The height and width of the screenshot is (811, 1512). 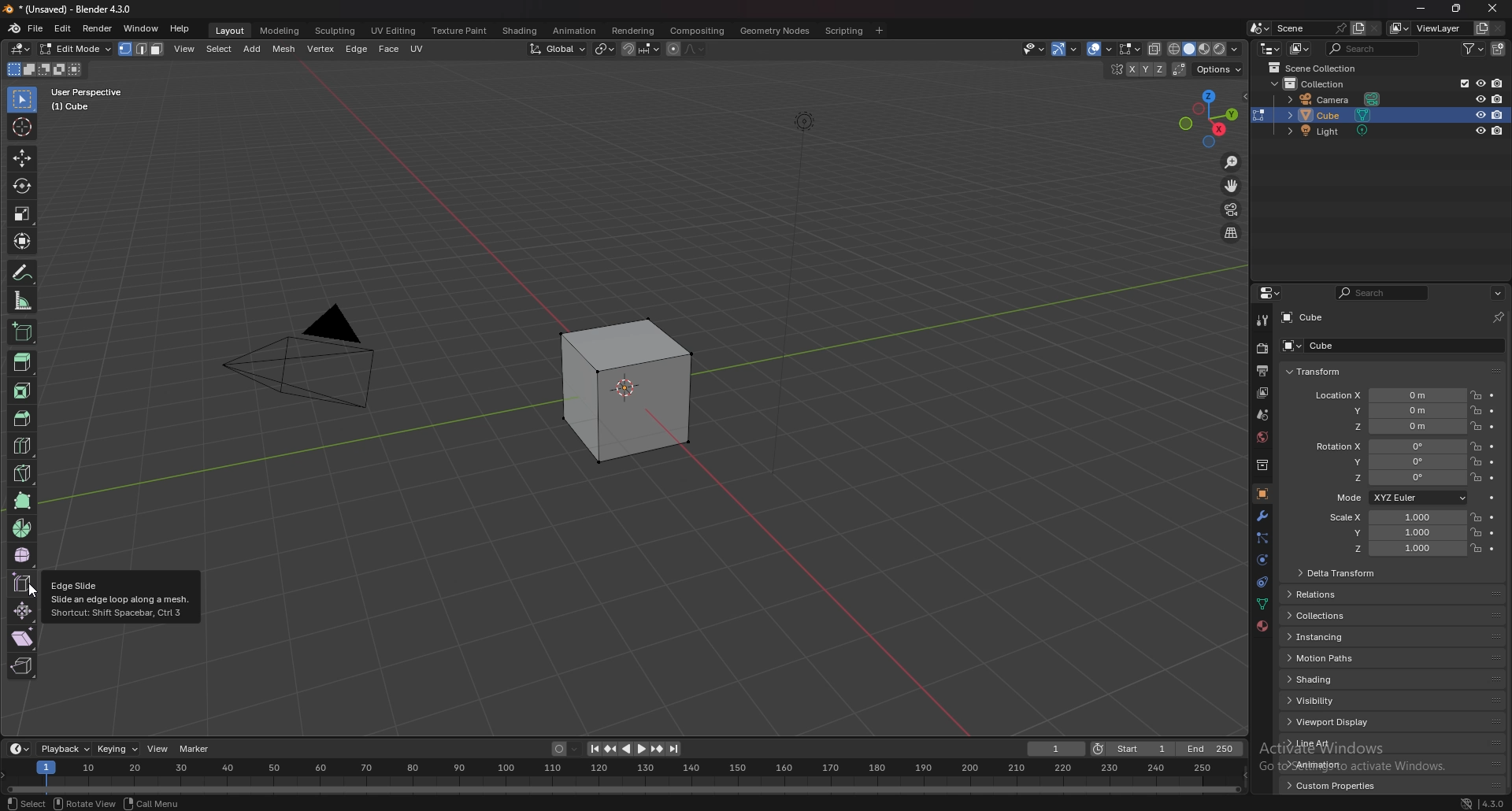 What do you see at coordinates (279, 31) in the screenshot?
I see `modeling` at bounding box center [279, 31].